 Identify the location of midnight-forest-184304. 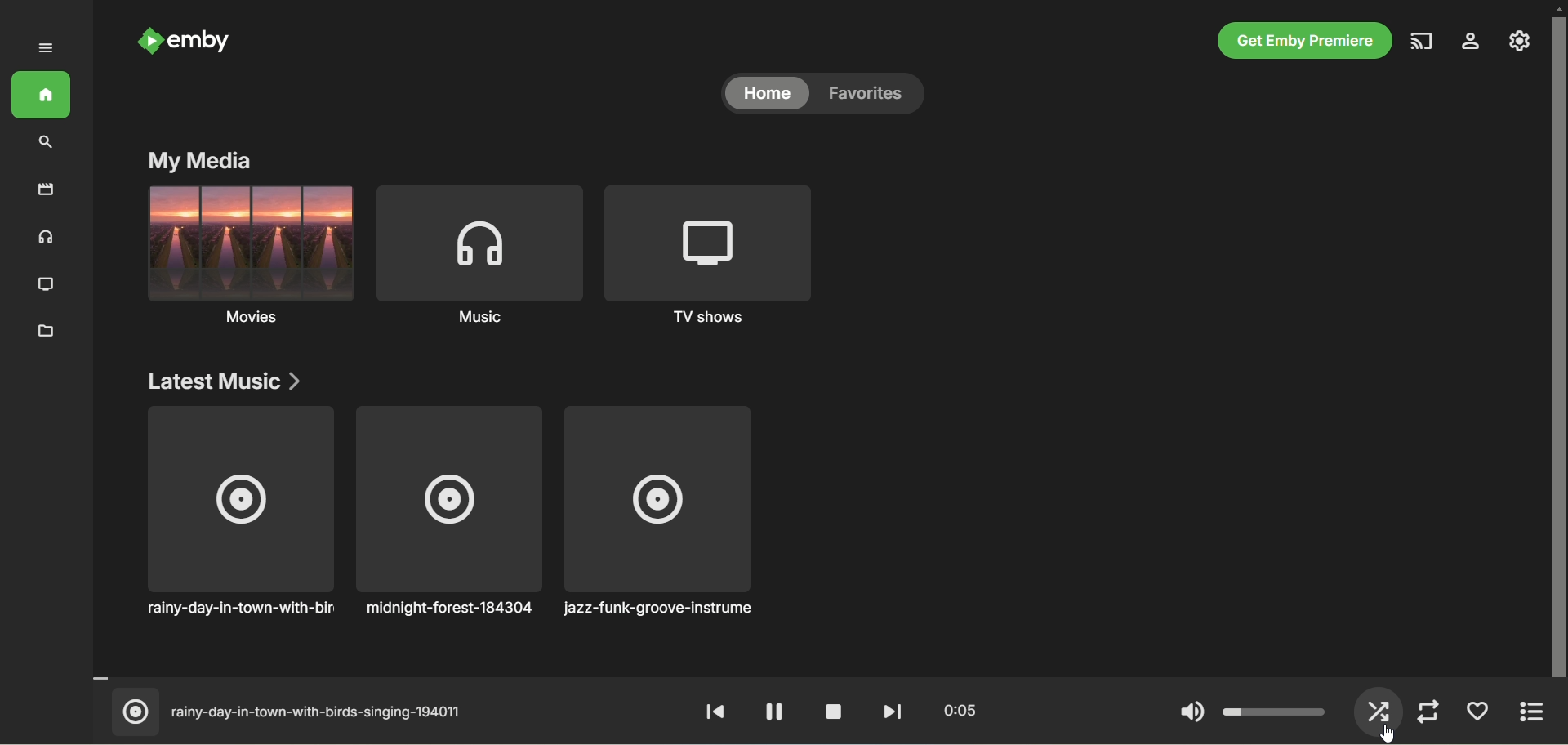
(448, 512).